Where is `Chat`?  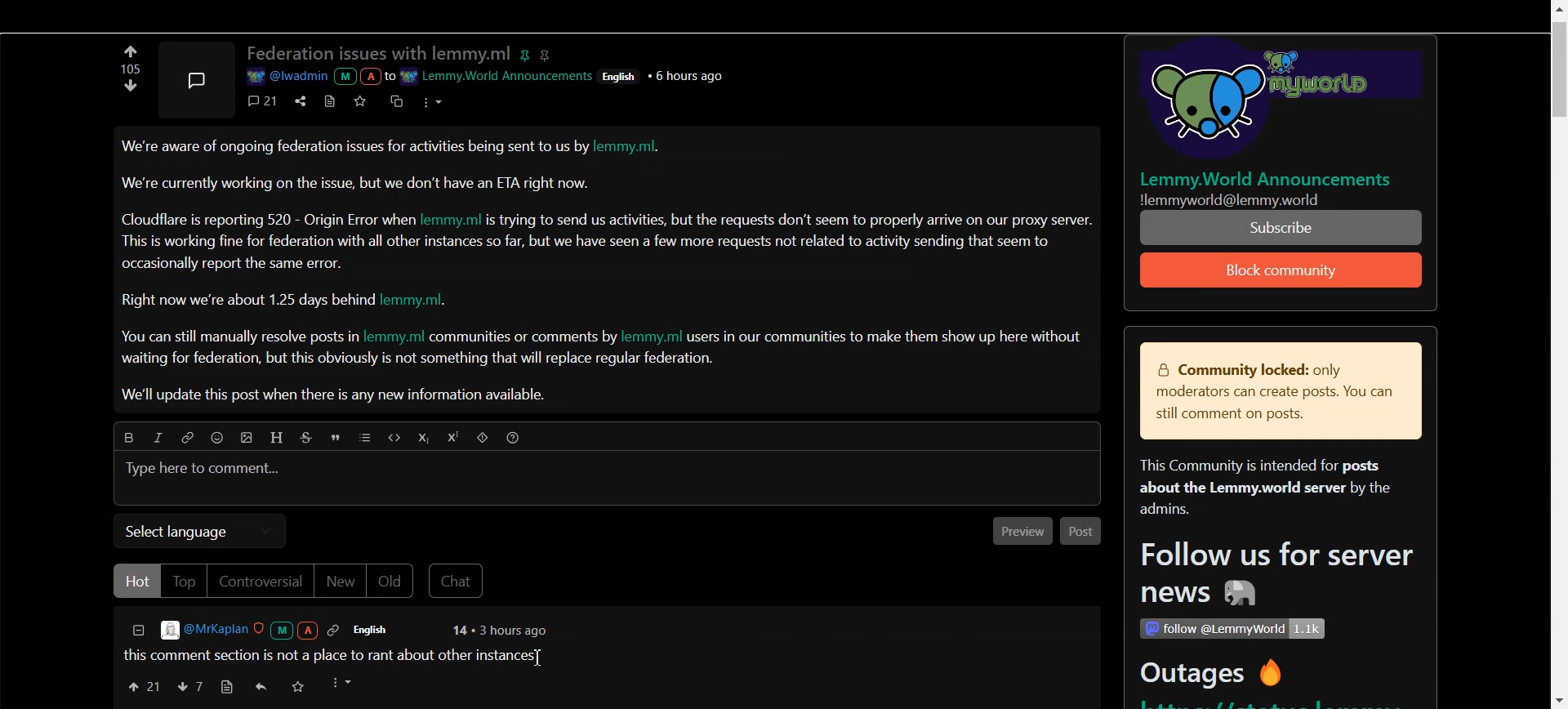 Chat is located at coordinates (459, 582).